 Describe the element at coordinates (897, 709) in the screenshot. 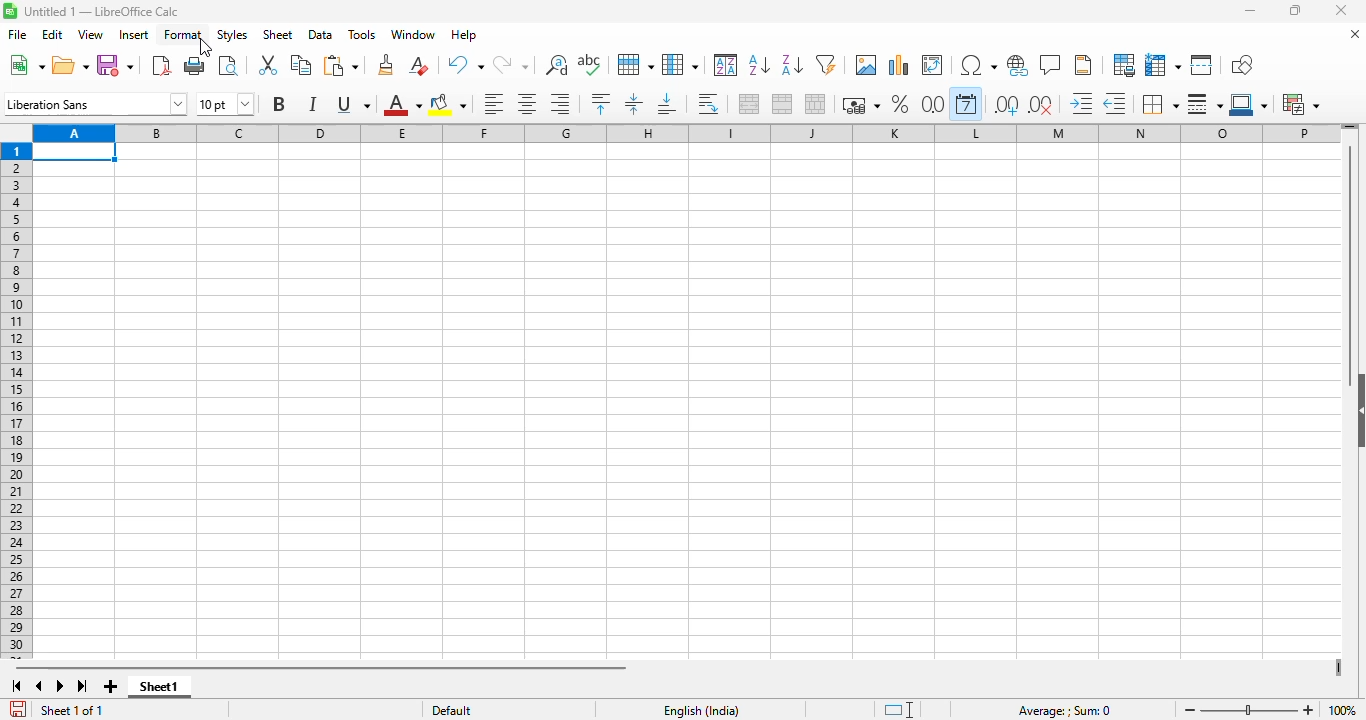

I see `standard selection` at that location.